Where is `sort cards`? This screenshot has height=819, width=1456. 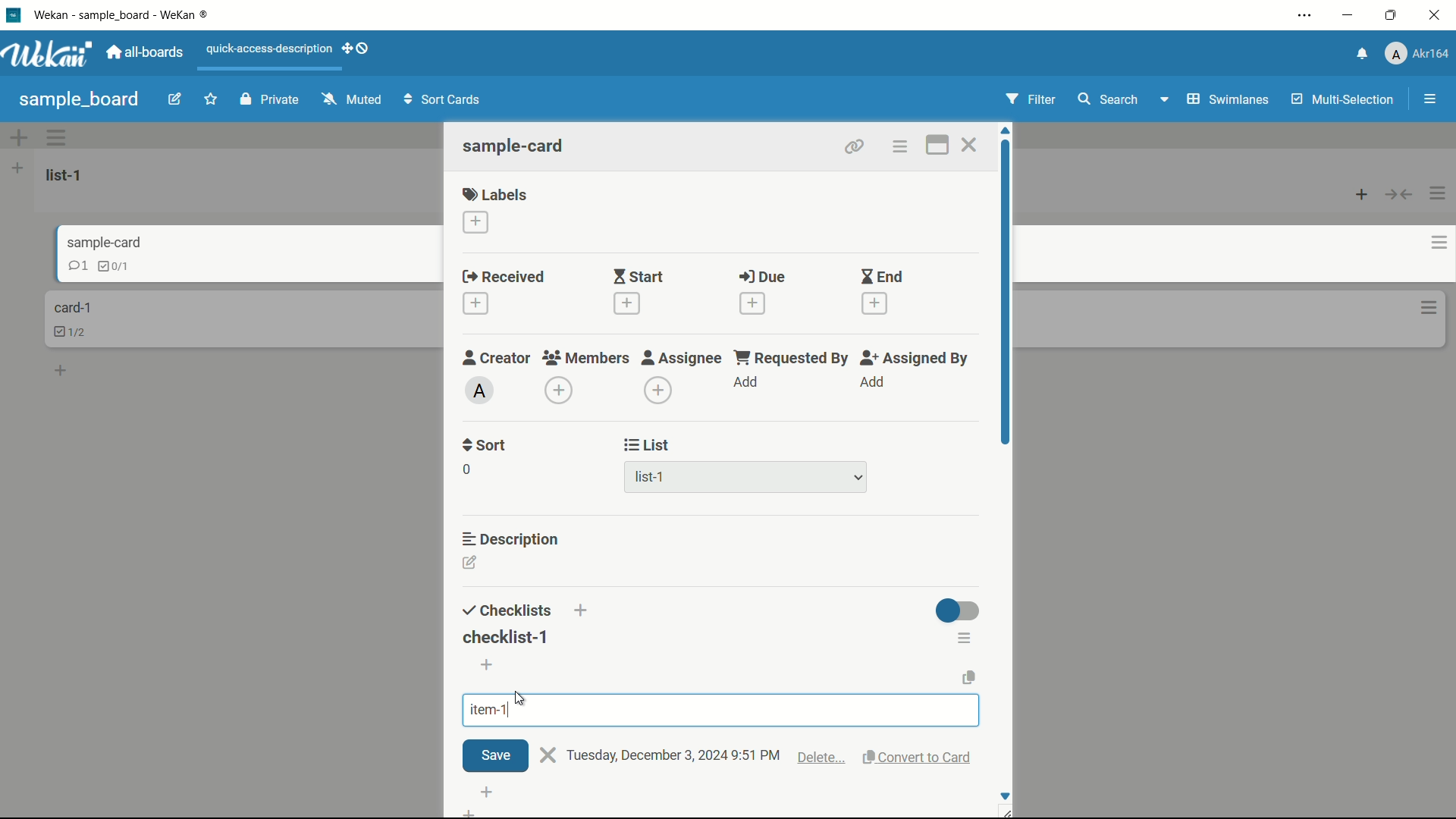
sort cards is located at coordinates (444, 99).